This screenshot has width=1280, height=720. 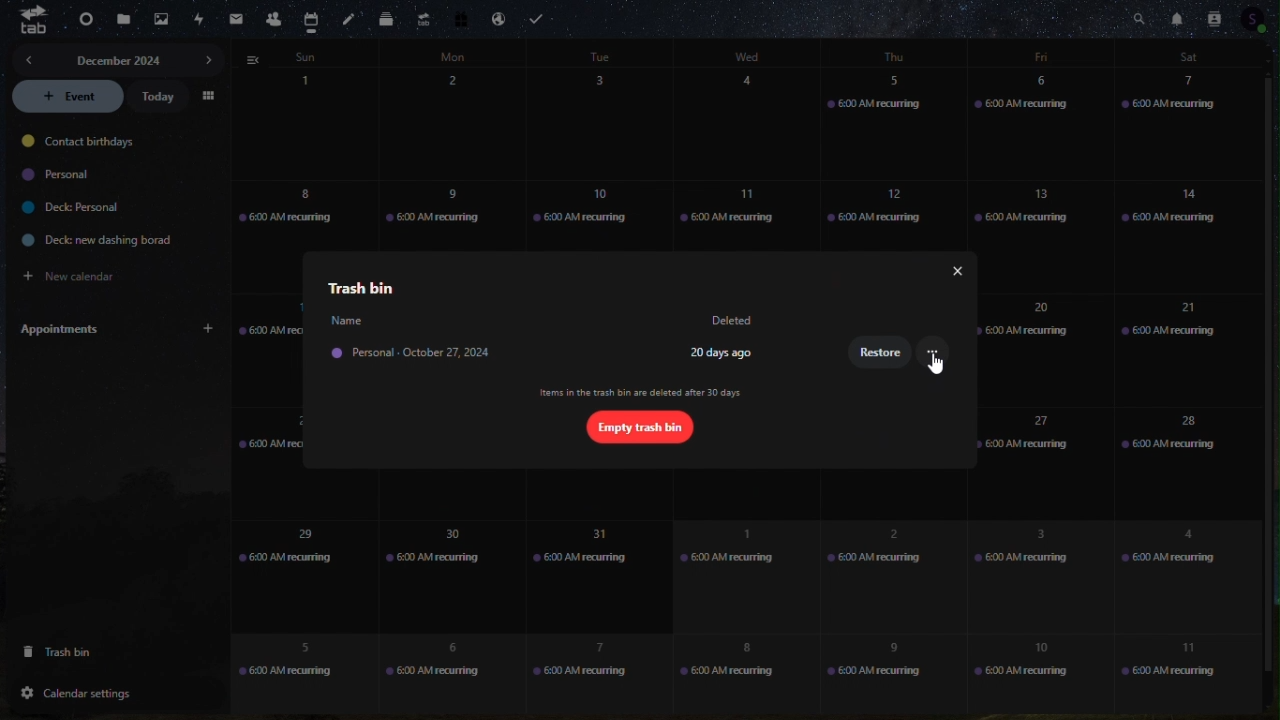 I want to click on dashboard, so click(x=79, y=20).